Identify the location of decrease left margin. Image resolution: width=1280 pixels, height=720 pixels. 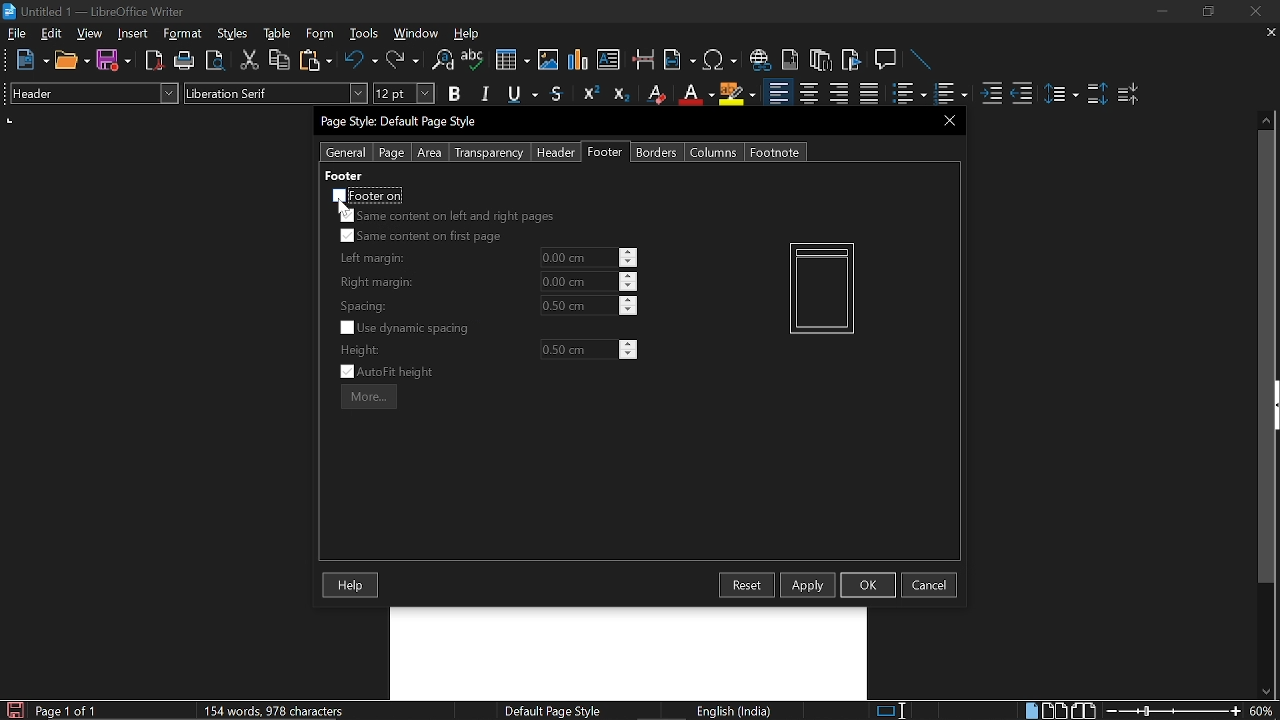
(629, 263).